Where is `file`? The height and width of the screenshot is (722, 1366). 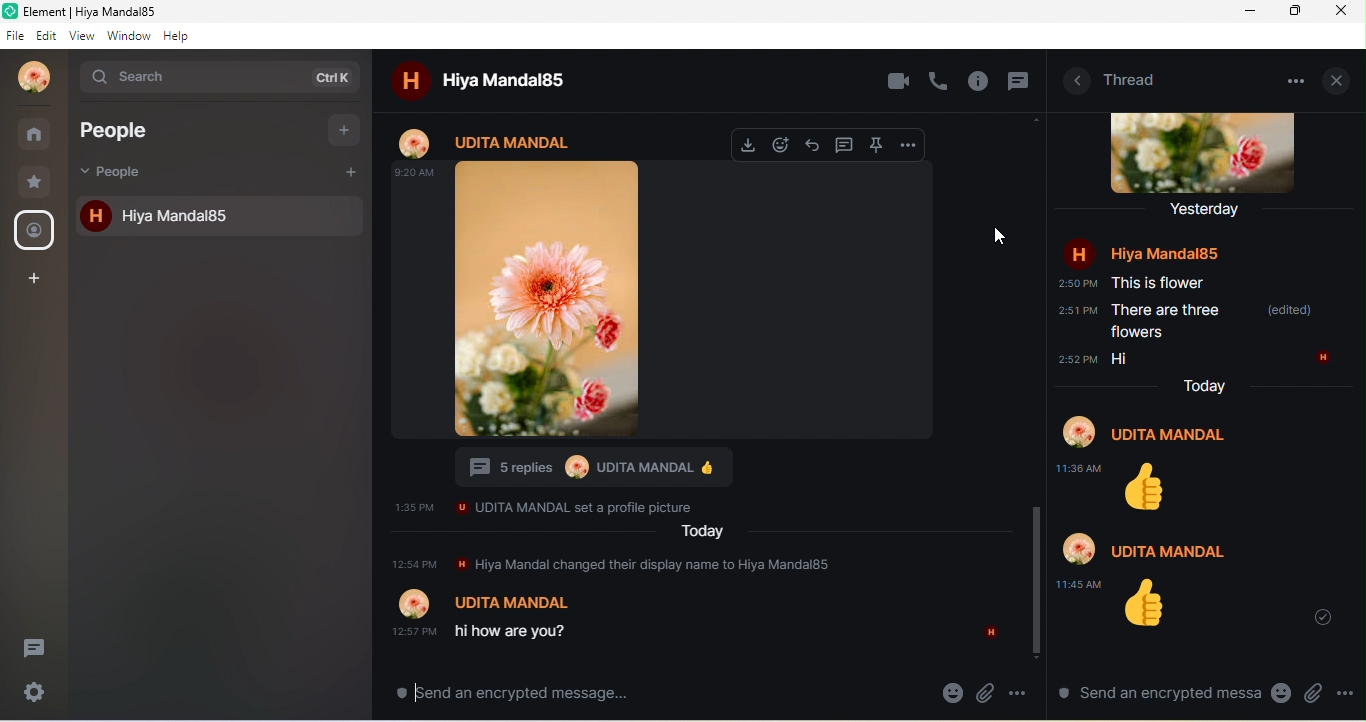
file is located at coordinates (15, 34).